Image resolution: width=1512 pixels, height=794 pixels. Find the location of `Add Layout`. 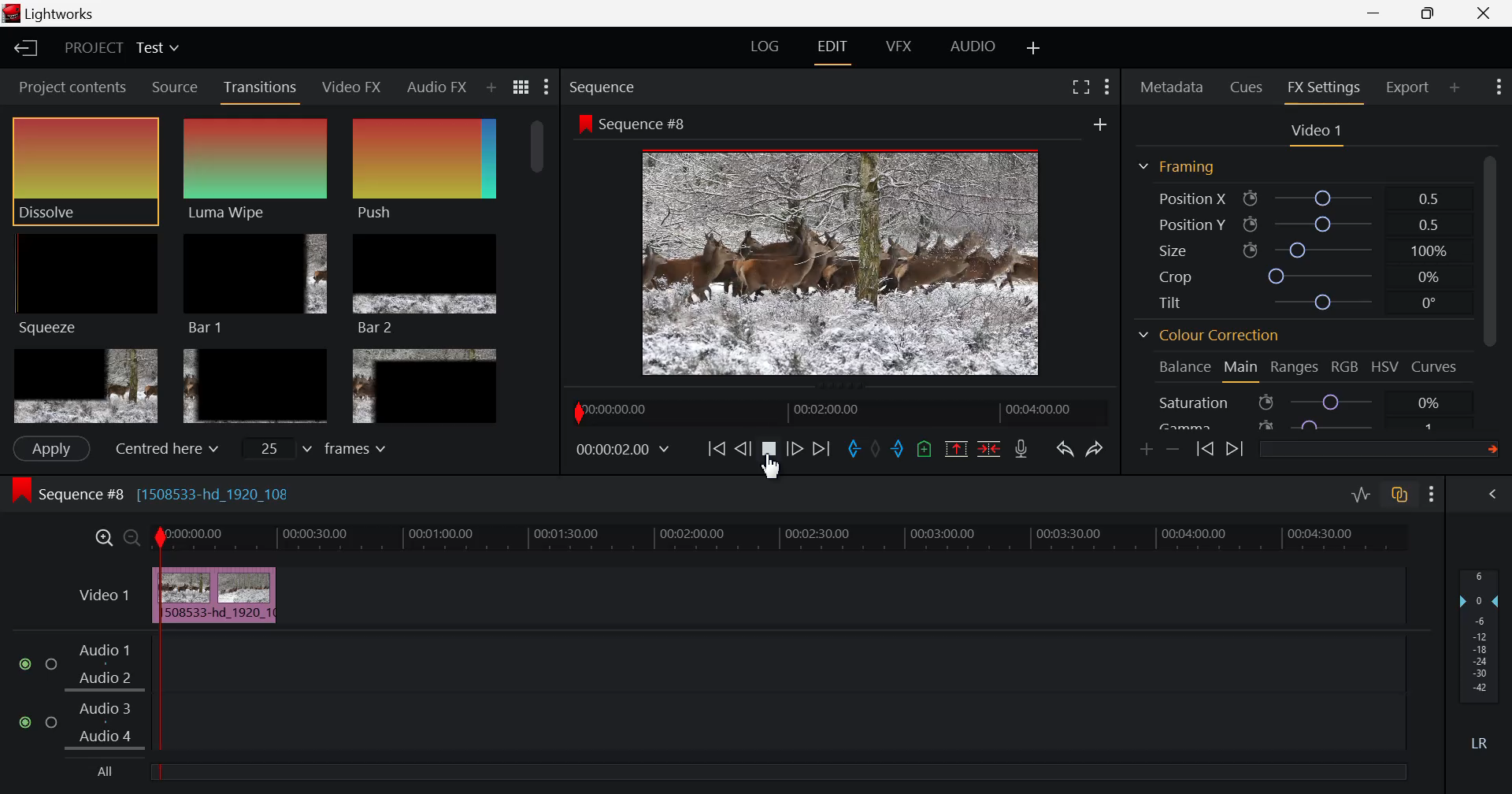

Add Layout is located at coordinates (1035, 47).